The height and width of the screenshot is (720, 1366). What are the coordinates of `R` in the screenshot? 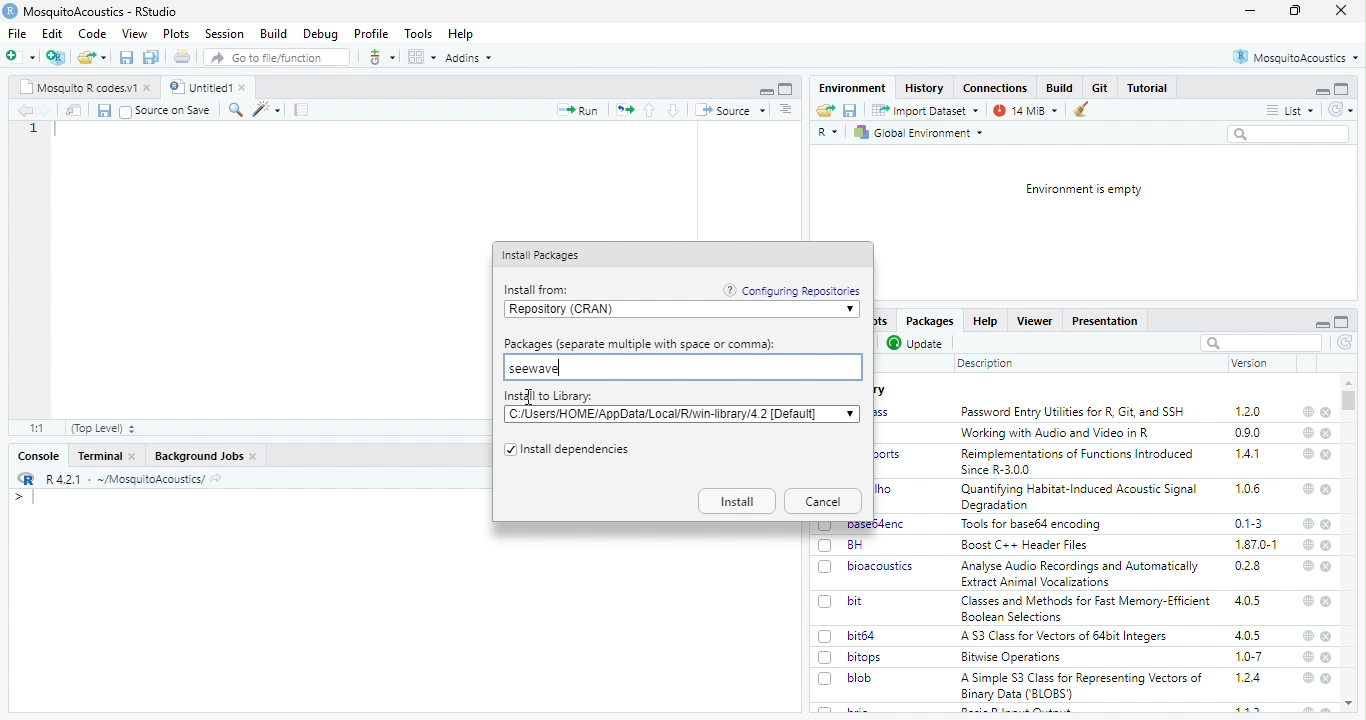 It's located at (828, 133).